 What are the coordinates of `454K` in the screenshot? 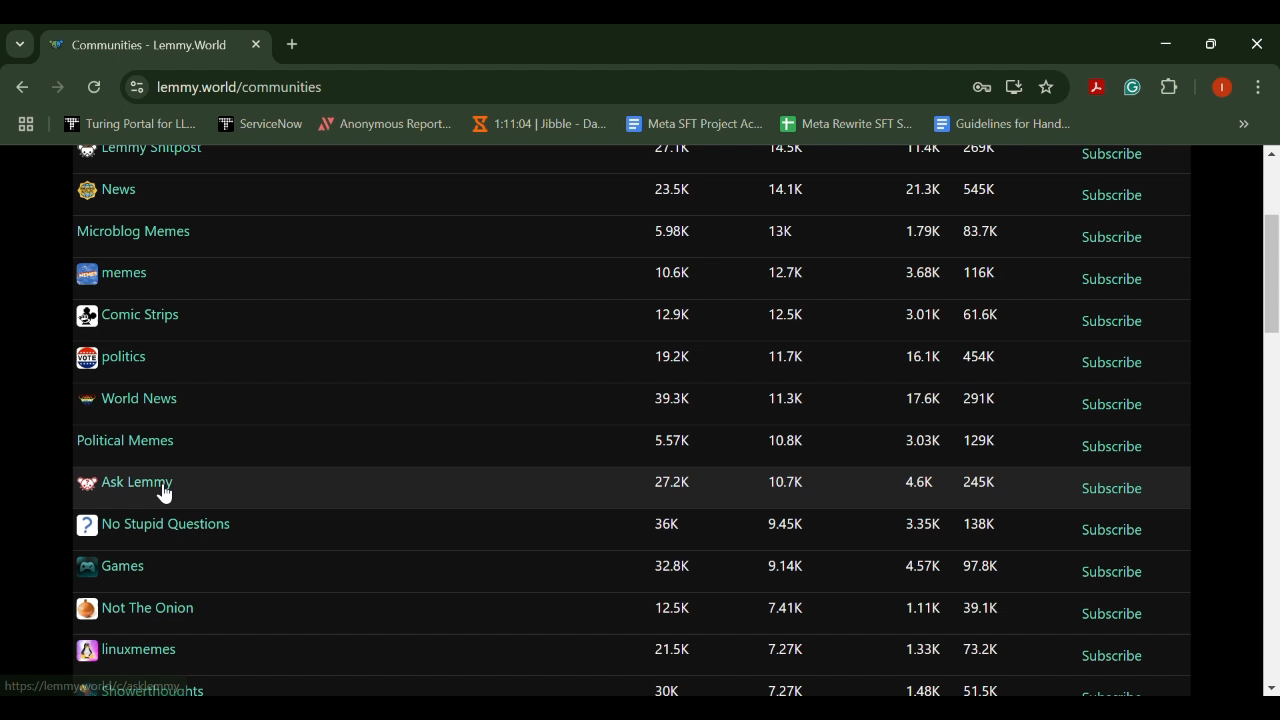 It's located at (980, 358).